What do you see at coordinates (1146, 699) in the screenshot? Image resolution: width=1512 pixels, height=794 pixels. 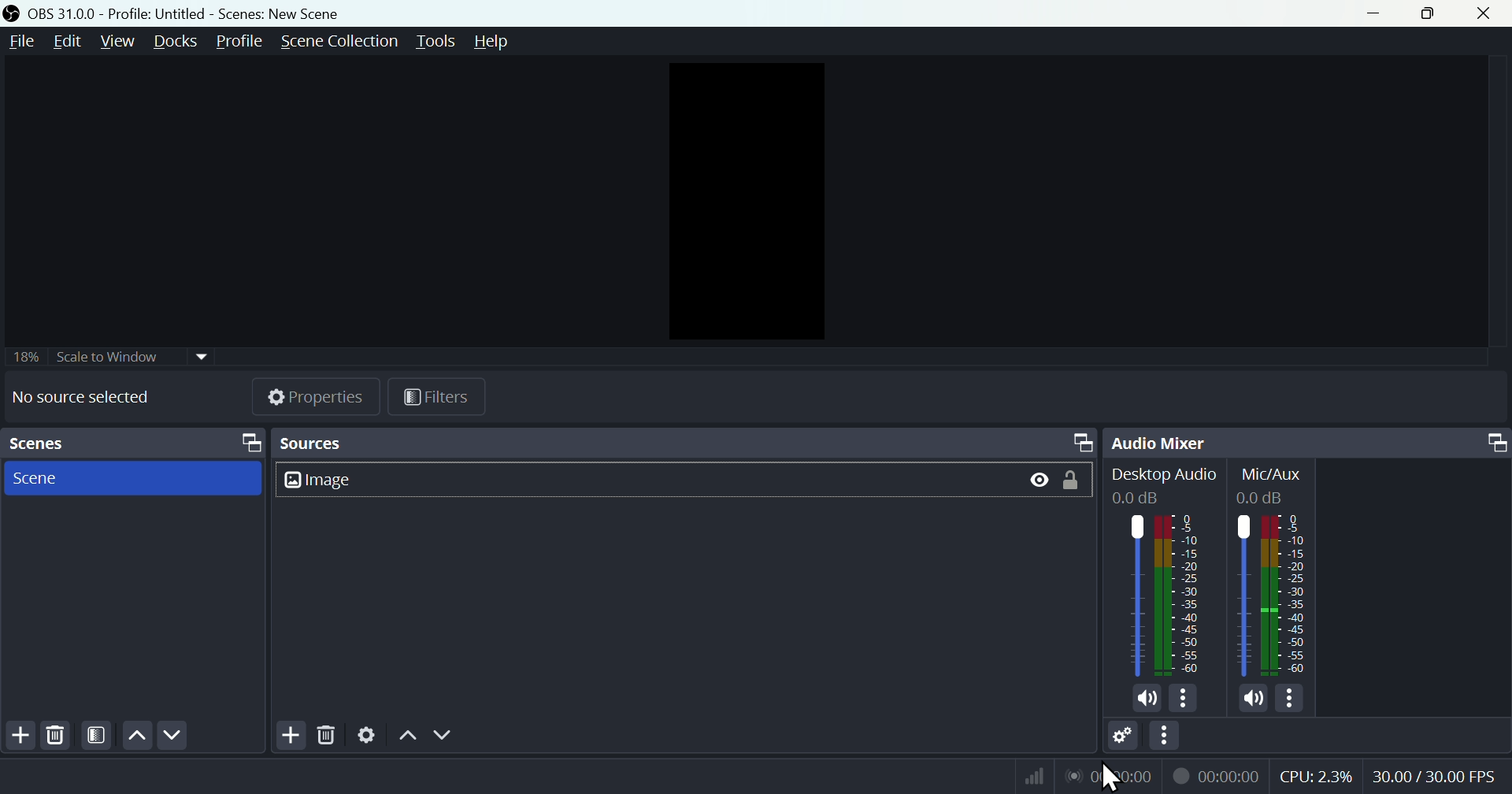 I see `volume` at bounding box center [1146, 699].